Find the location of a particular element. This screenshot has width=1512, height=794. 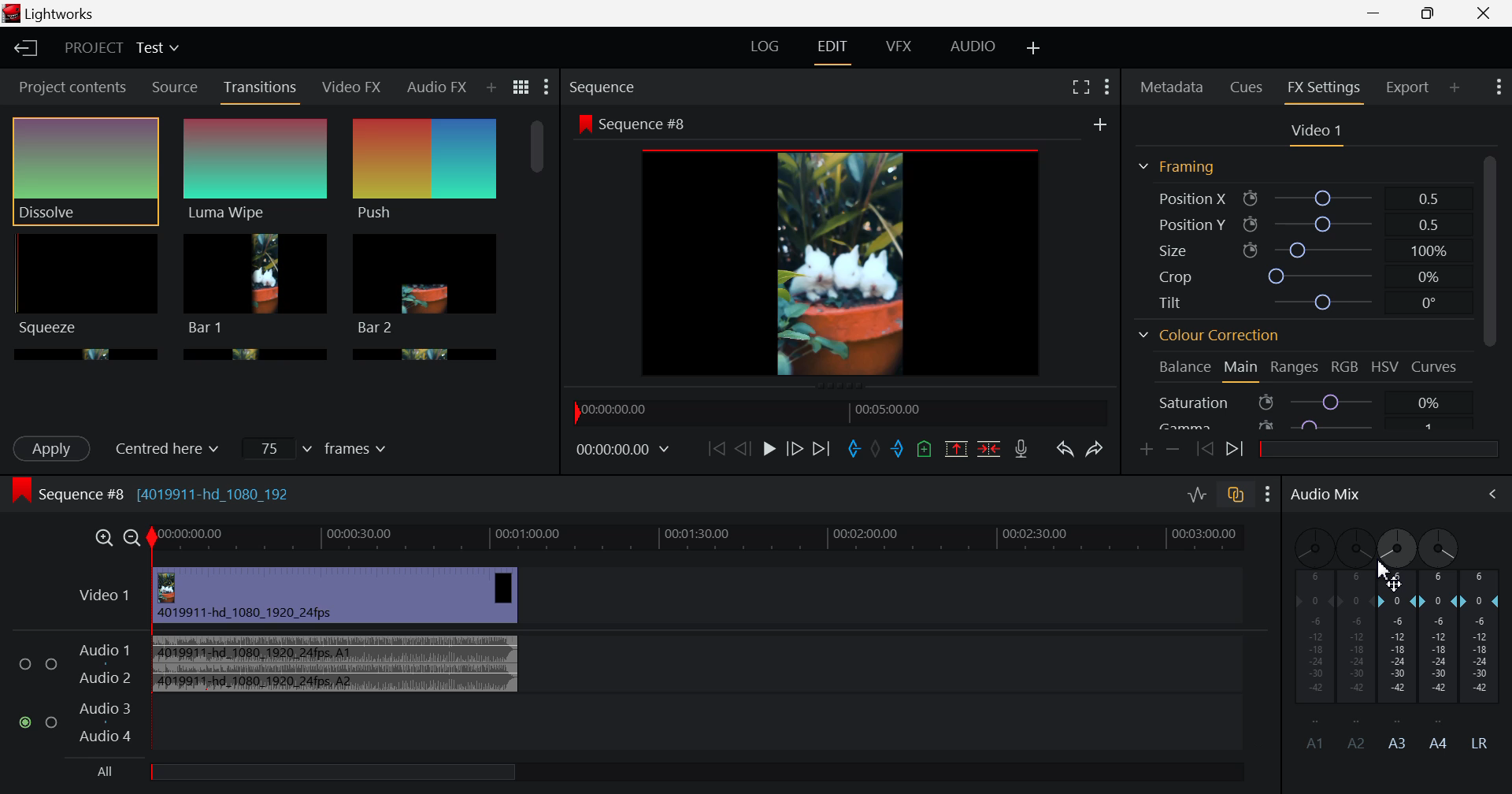

Close is located at coordinates (1484, 14).